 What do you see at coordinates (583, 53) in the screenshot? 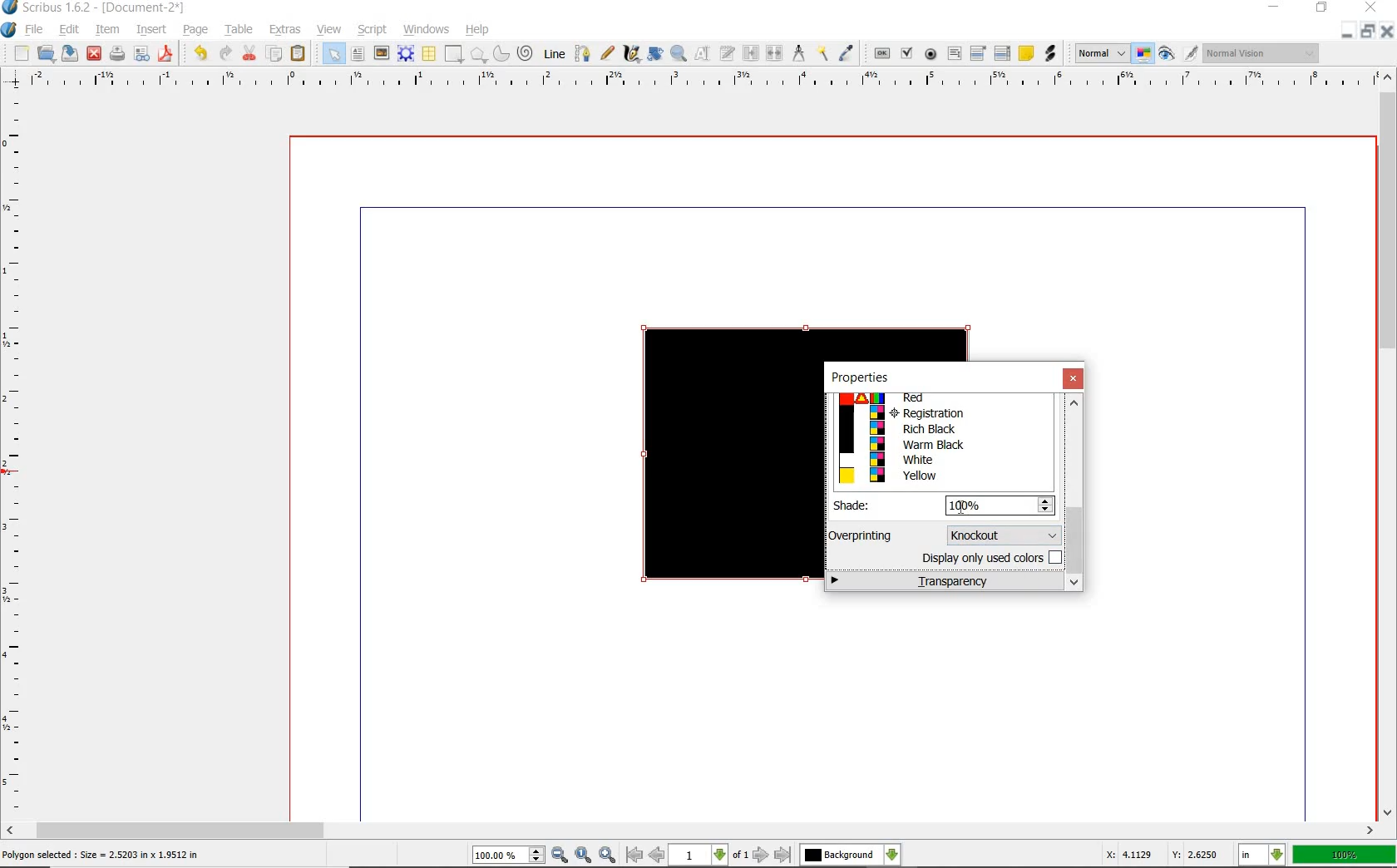
I see `bezier curve` at bounding box center [583, 53].